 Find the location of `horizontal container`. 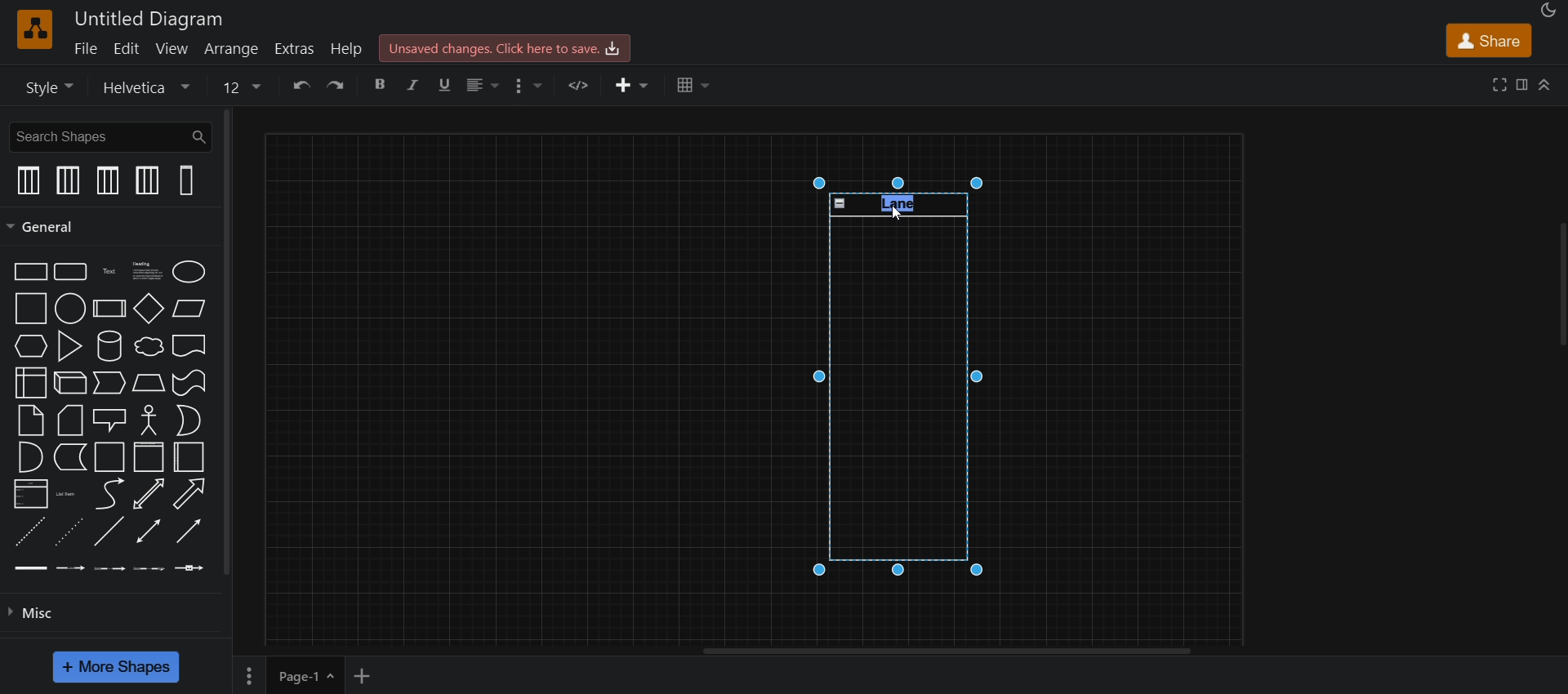

horizontal container is located at coordinates (145, 457).